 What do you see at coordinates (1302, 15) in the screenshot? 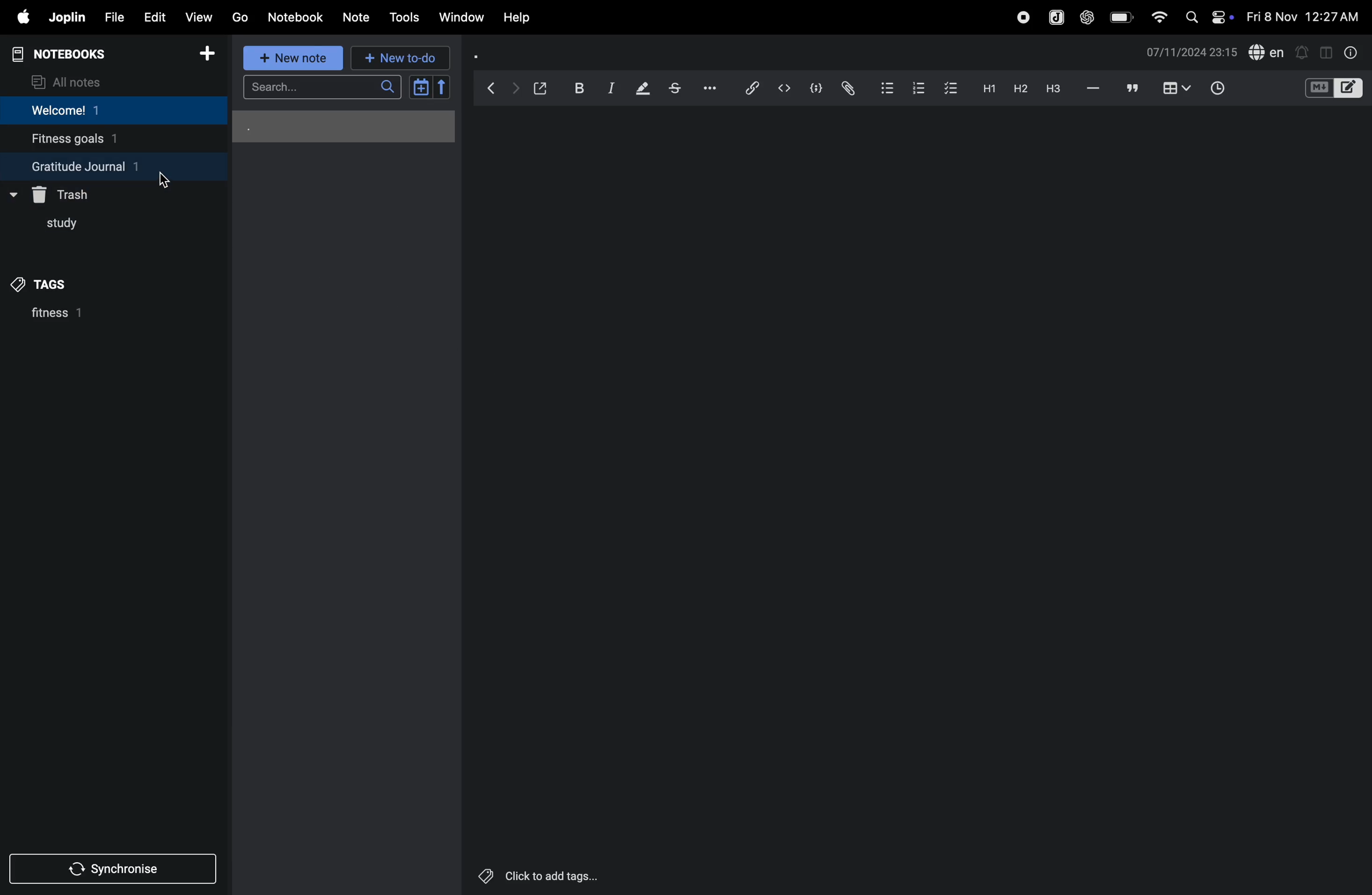
I see `Fri 8 Nov 12:27 AM` at bounding box center [1302, 15].